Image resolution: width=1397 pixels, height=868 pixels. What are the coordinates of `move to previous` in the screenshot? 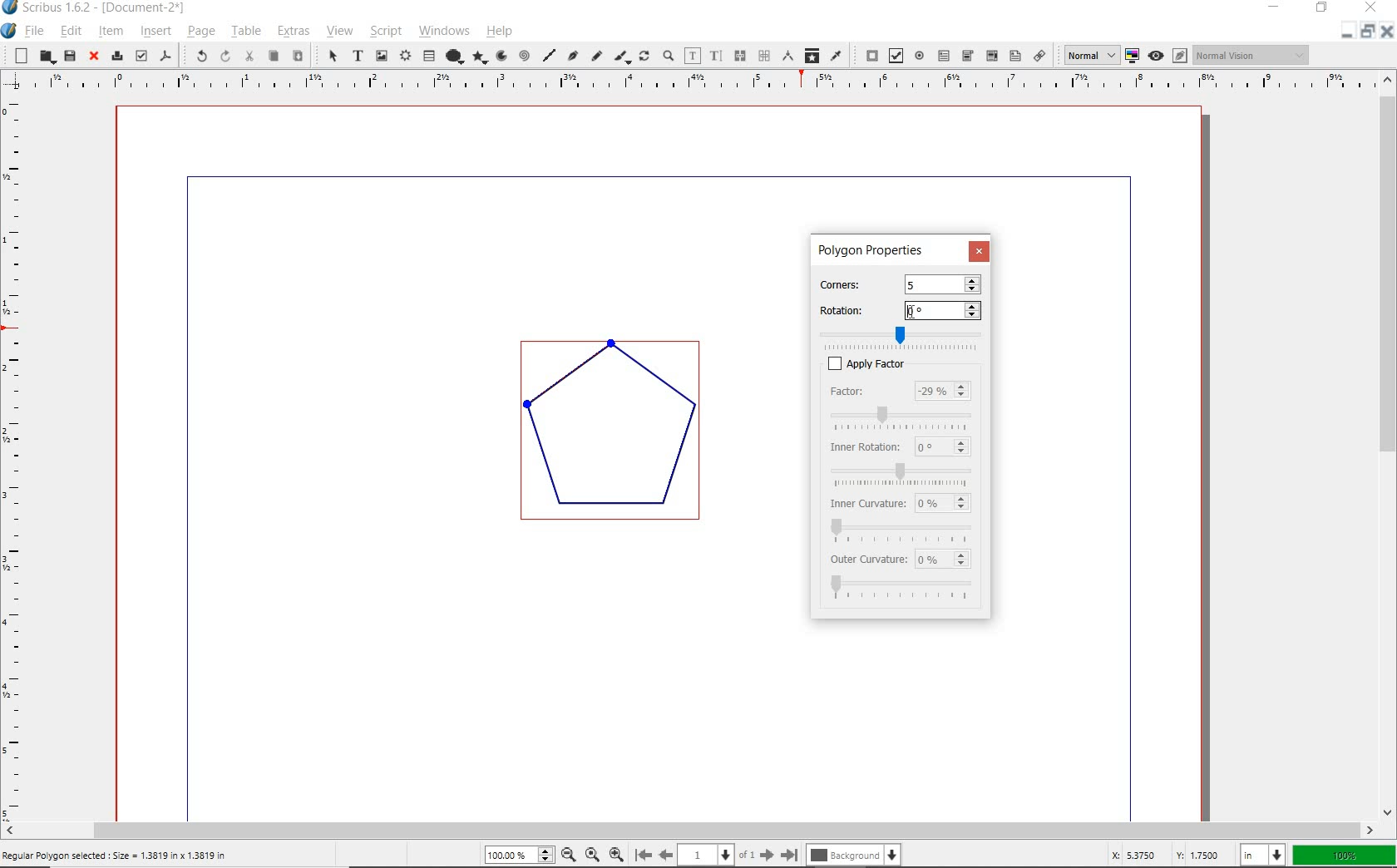 It's located at (672, 854).